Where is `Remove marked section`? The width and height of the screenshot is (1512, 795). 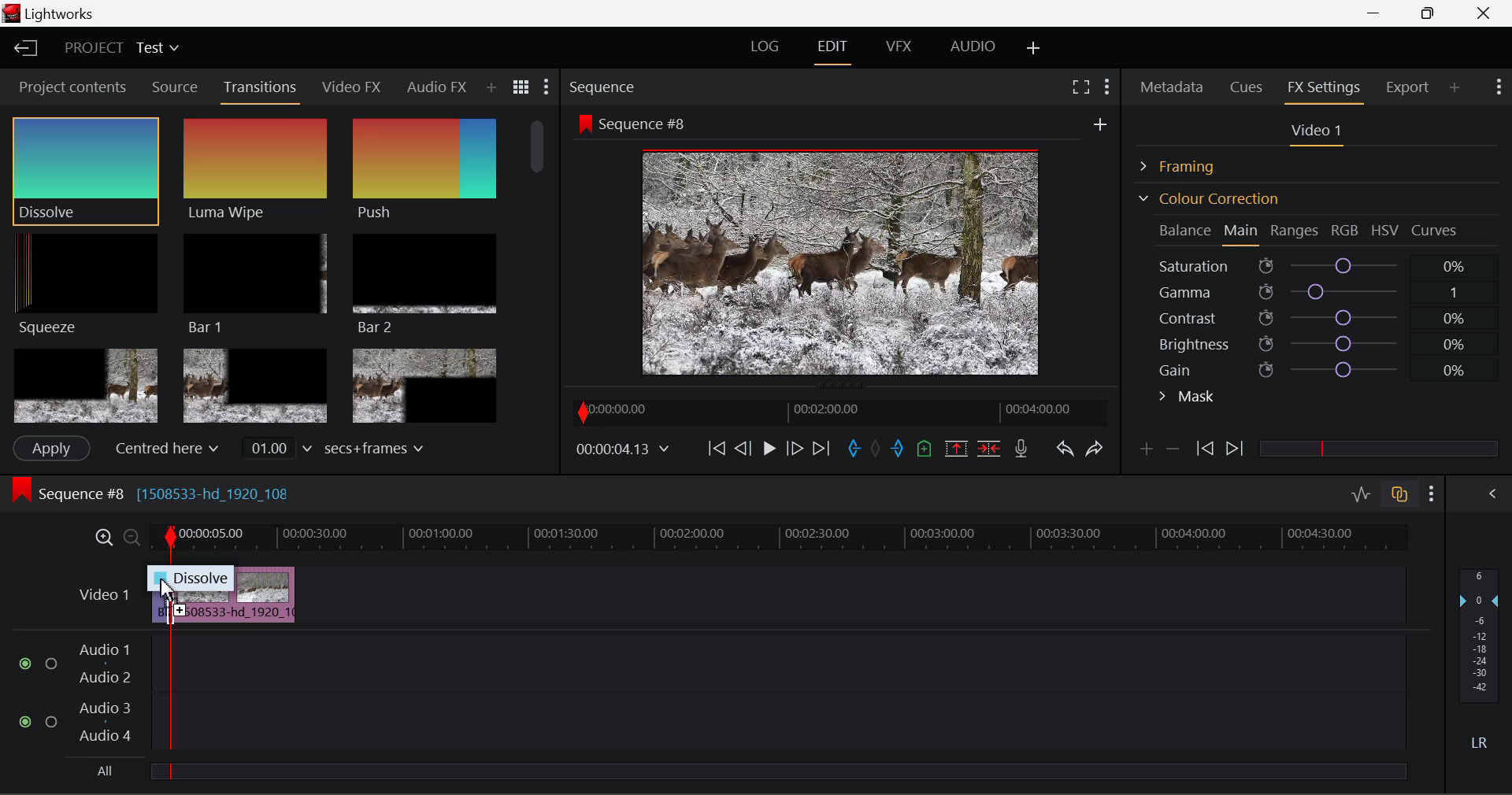 Remove marked section is located at coordinates (955, 447).